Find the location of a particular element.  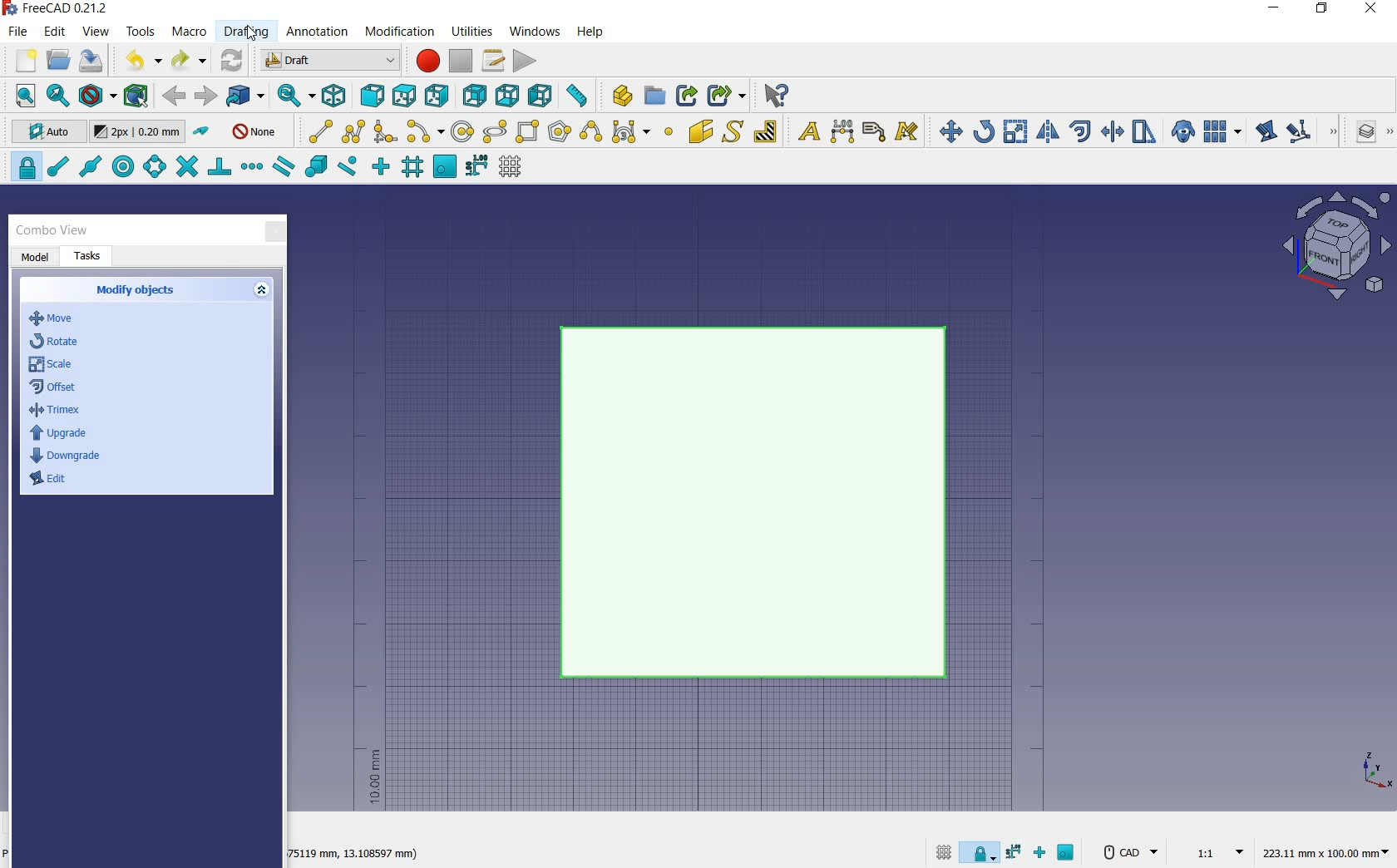

move is located at coordinates (946, 131).